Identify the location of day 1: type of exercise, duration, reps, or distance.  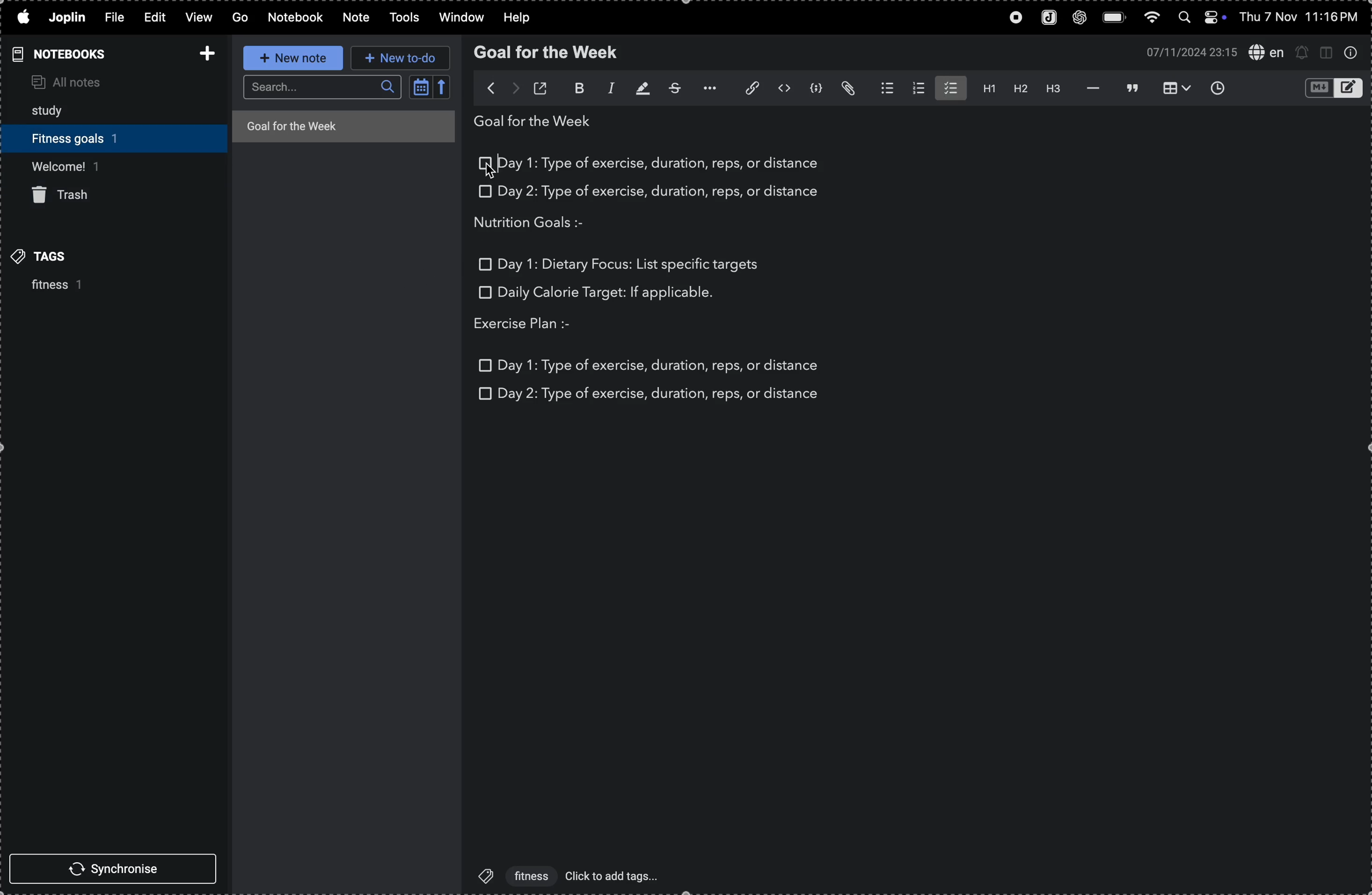
(661, 363).